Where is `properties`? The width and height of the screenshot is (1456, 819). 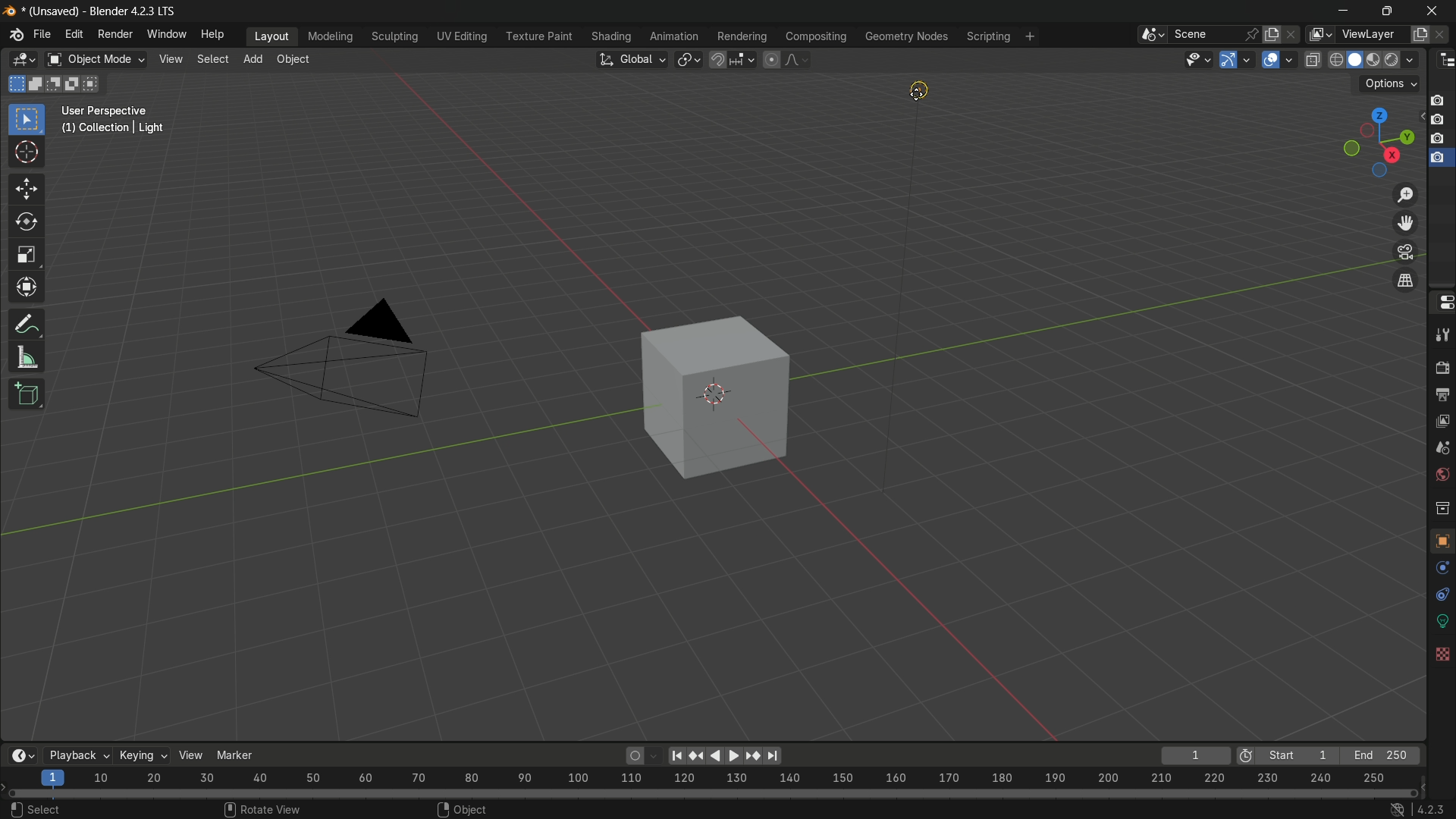
properties is located at coordinates (1442, 303).